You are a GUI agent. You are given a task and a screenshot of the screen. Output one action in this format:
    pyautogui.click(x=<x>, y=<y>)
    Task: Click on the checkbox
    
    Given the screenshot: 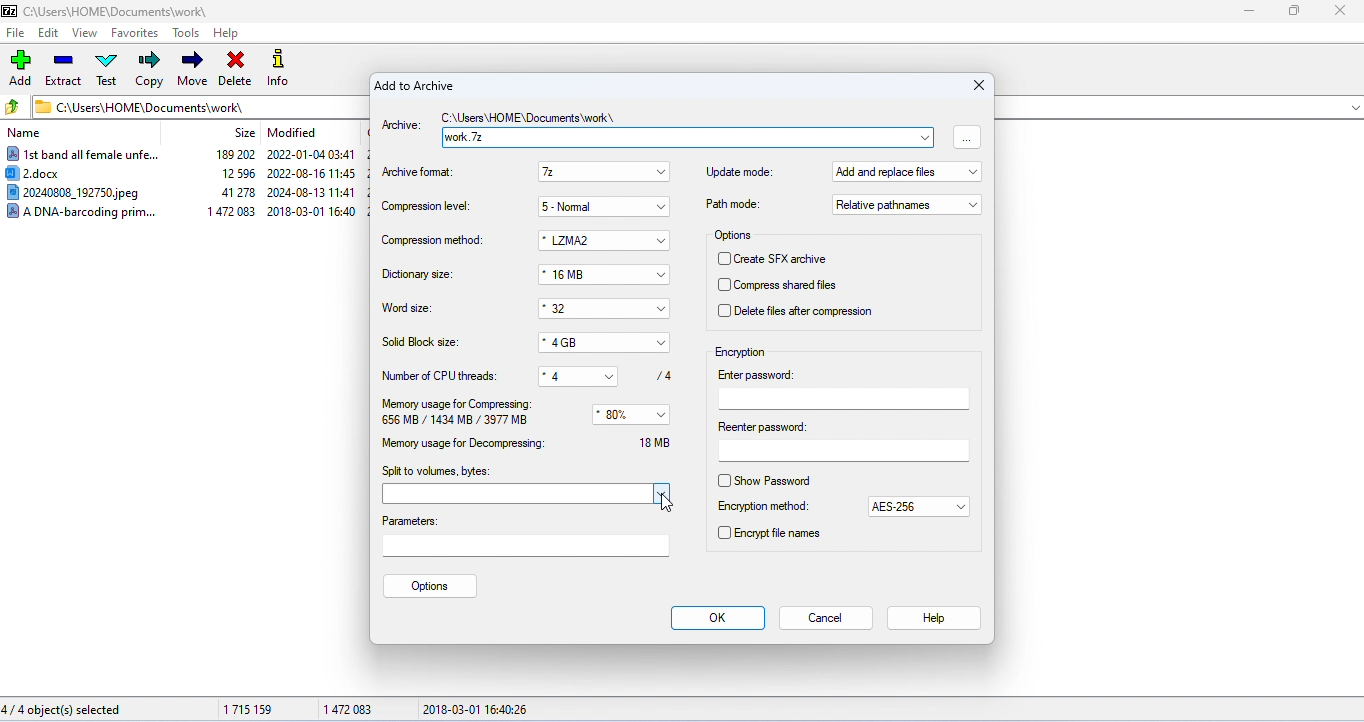 What is the action you would take?
    pyautogui.click(x=723, y=286)
    